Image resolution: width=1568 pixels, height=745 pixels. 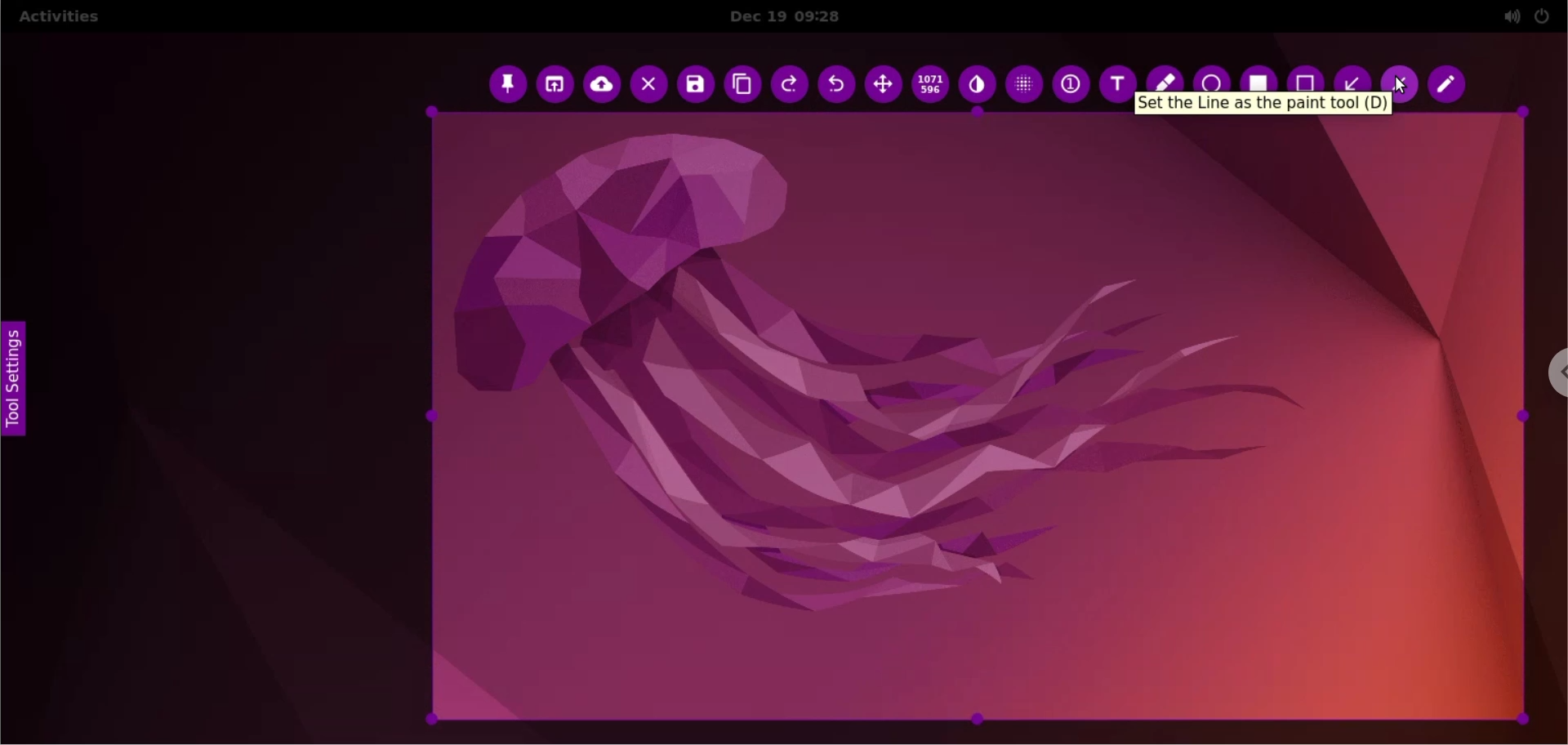 I want to click on marker, so click(x=1165, y=75).